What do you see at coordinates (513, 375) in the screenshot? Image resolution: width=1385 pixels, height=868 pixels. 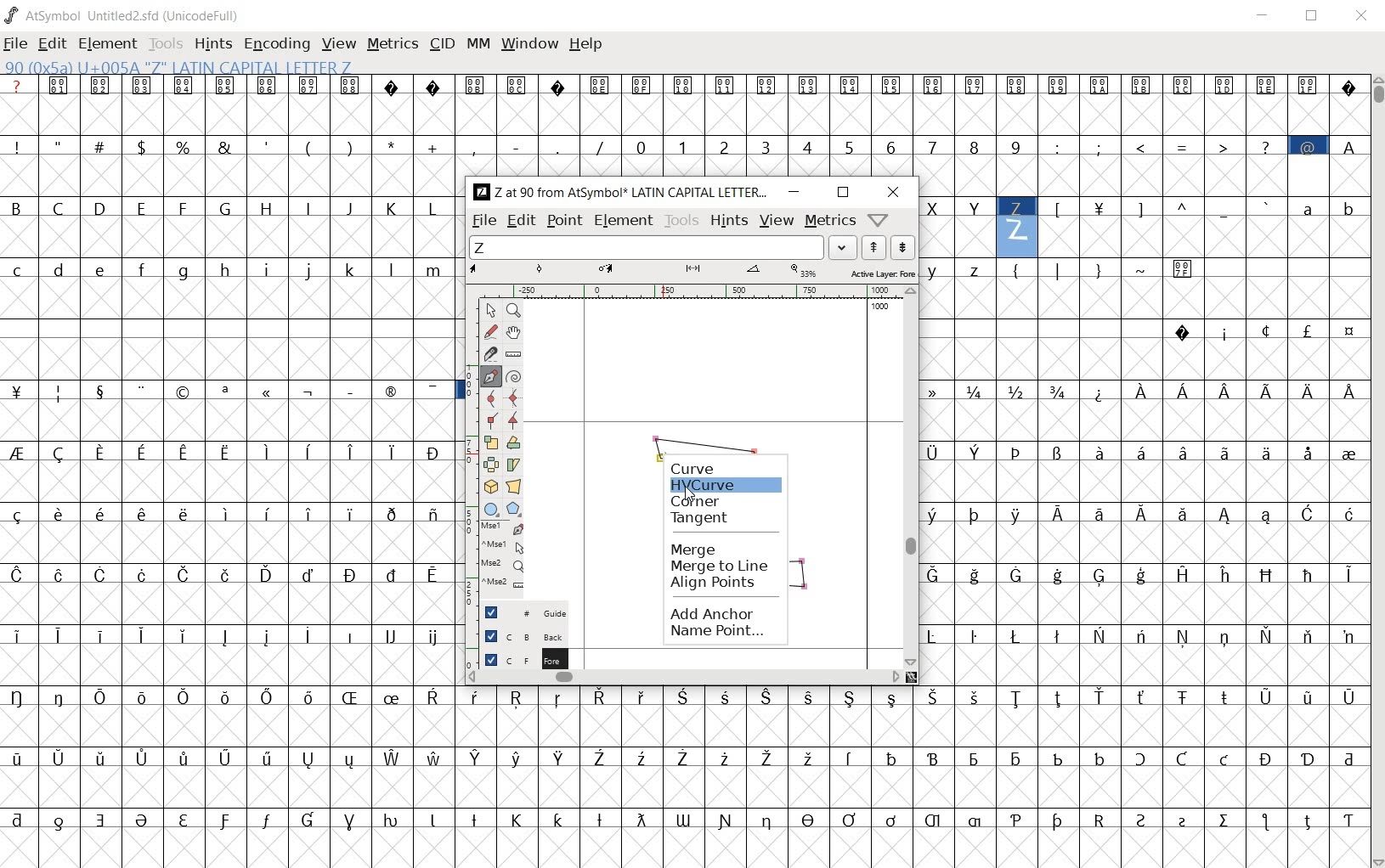 I see `change whether spiro is active or not` at bounding box center [513, 375].